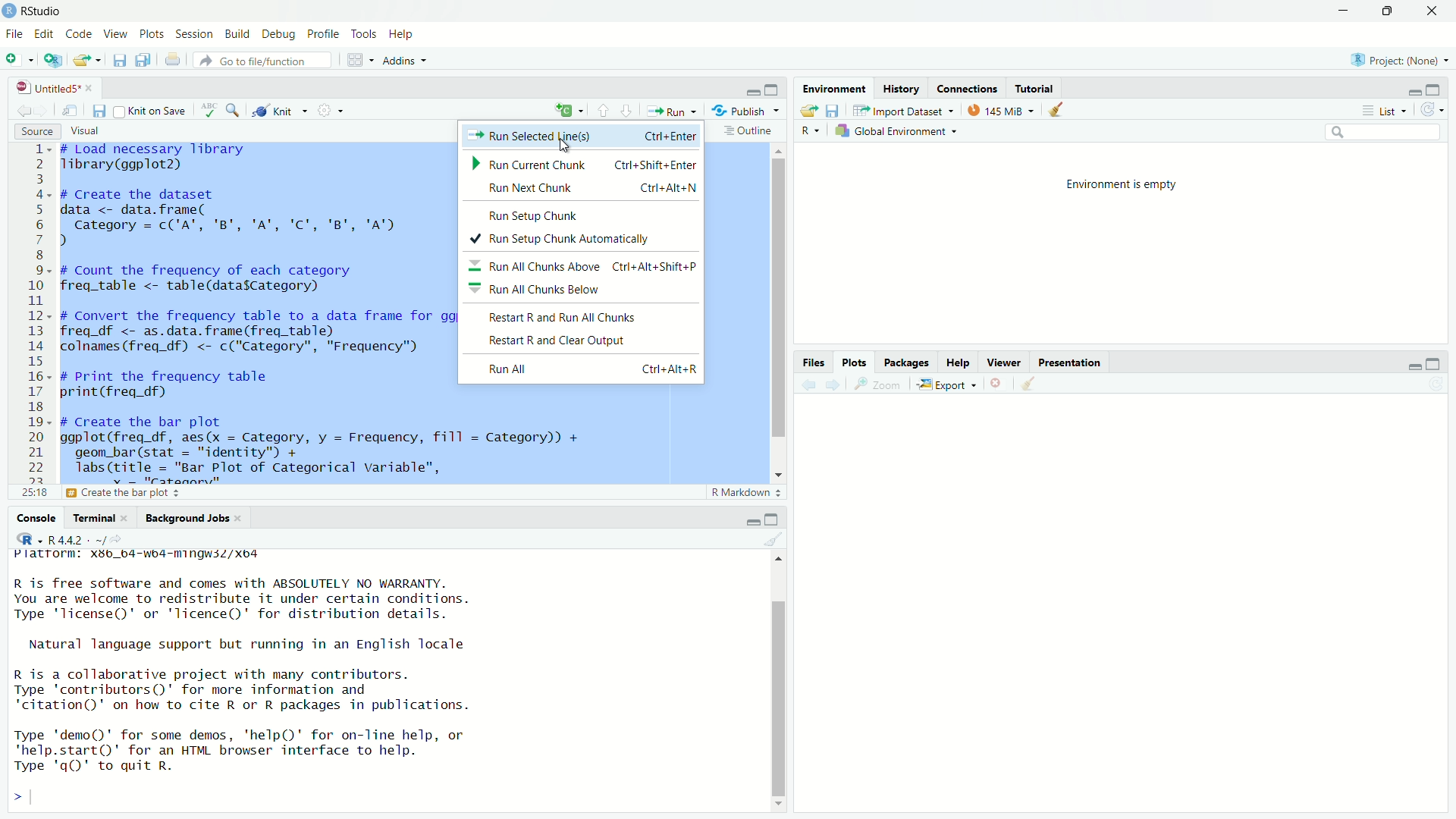 The image size is (1456, 819). What do you see at coordinates (752, 522) in the screenshot?
I see `minimize` at bounding box center [752, 522].